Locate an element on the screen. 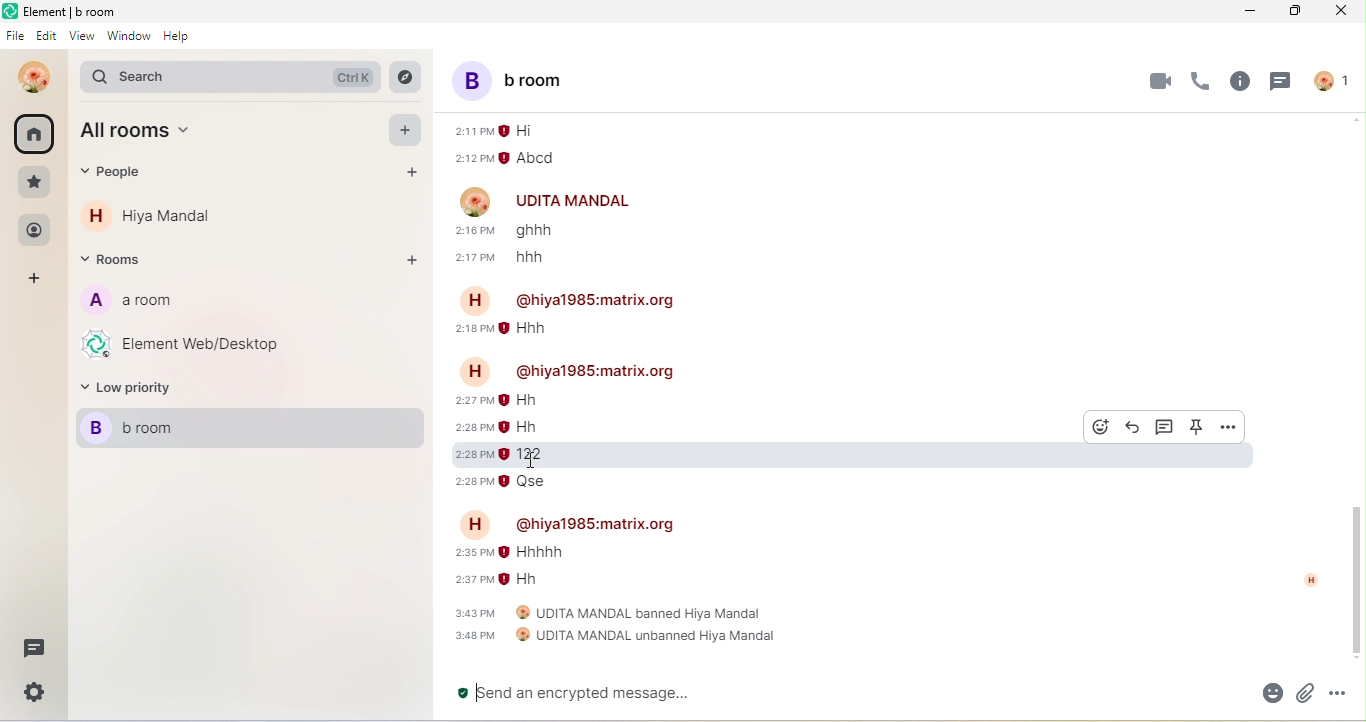 This screenshot has width=1366, height=722. H is located at coordinates (475, 370).